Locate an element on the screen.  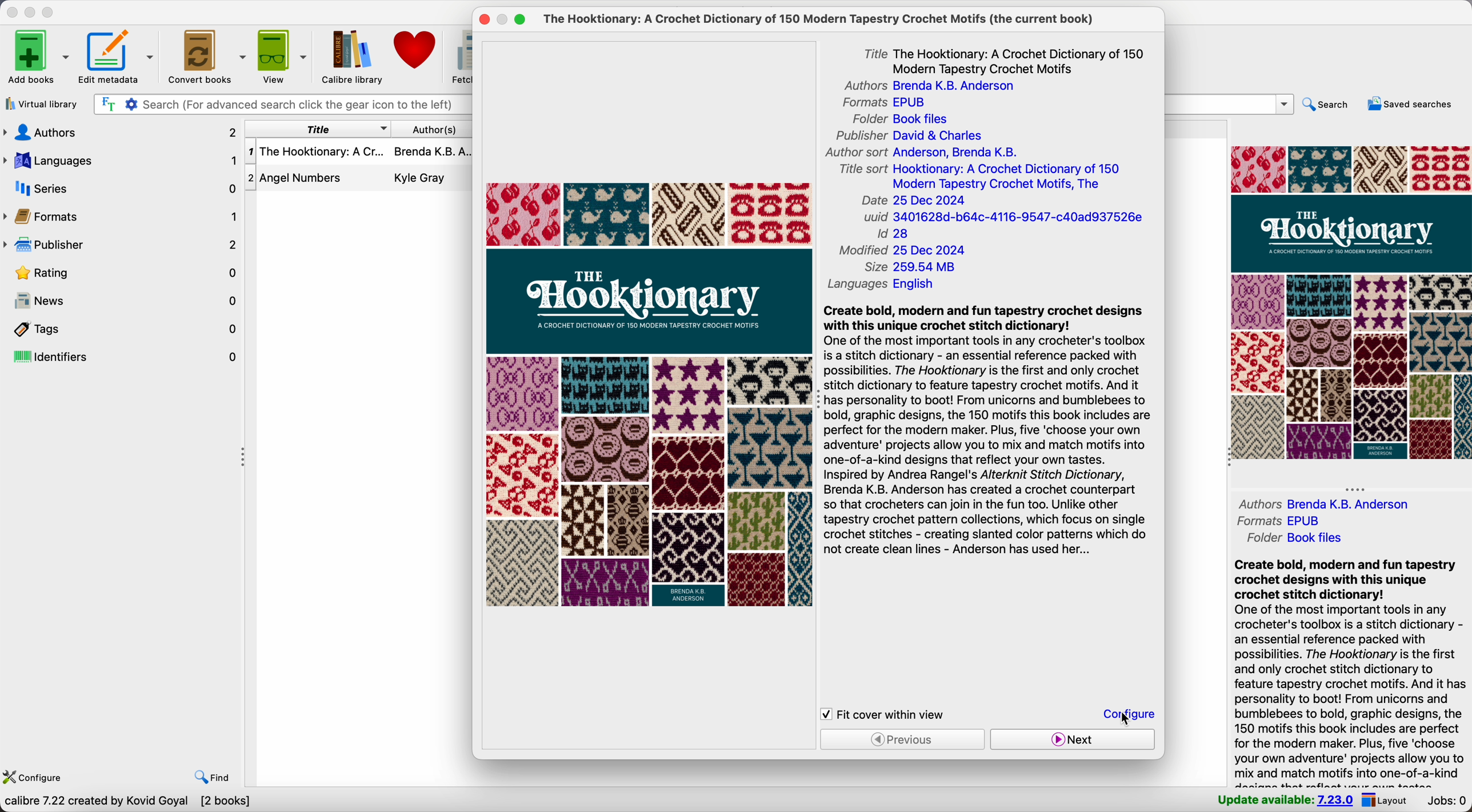
data is located at coordinates (127, 802).